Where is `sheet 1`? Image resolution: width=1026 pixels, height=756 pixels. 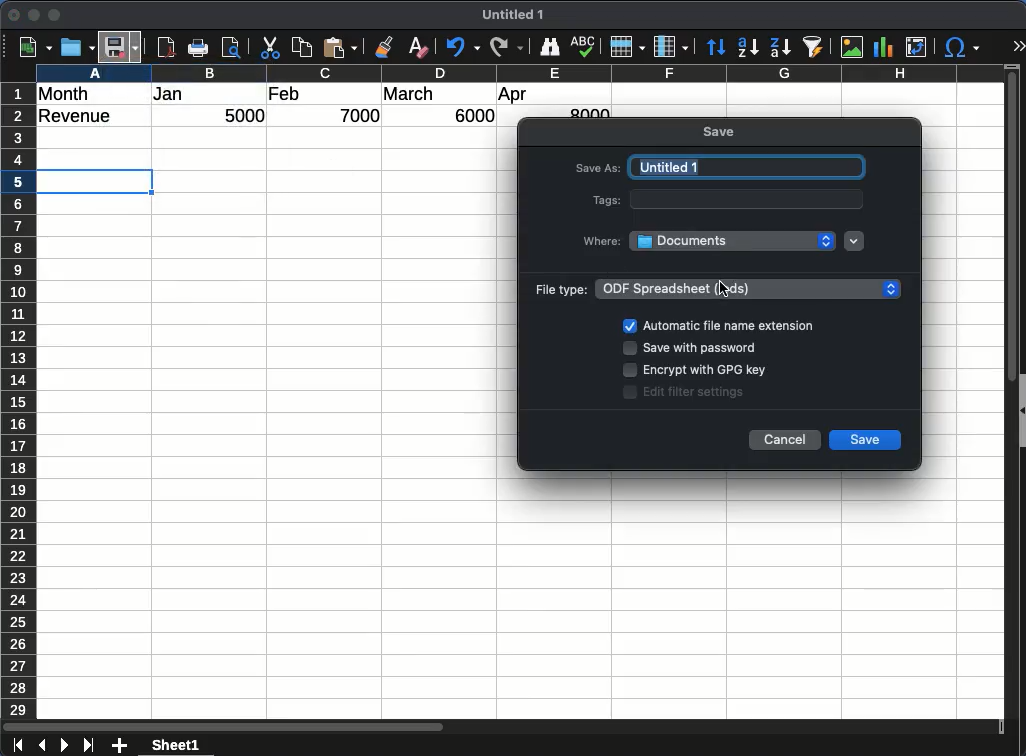 sheet 1 is located at coordinates (194, 745).